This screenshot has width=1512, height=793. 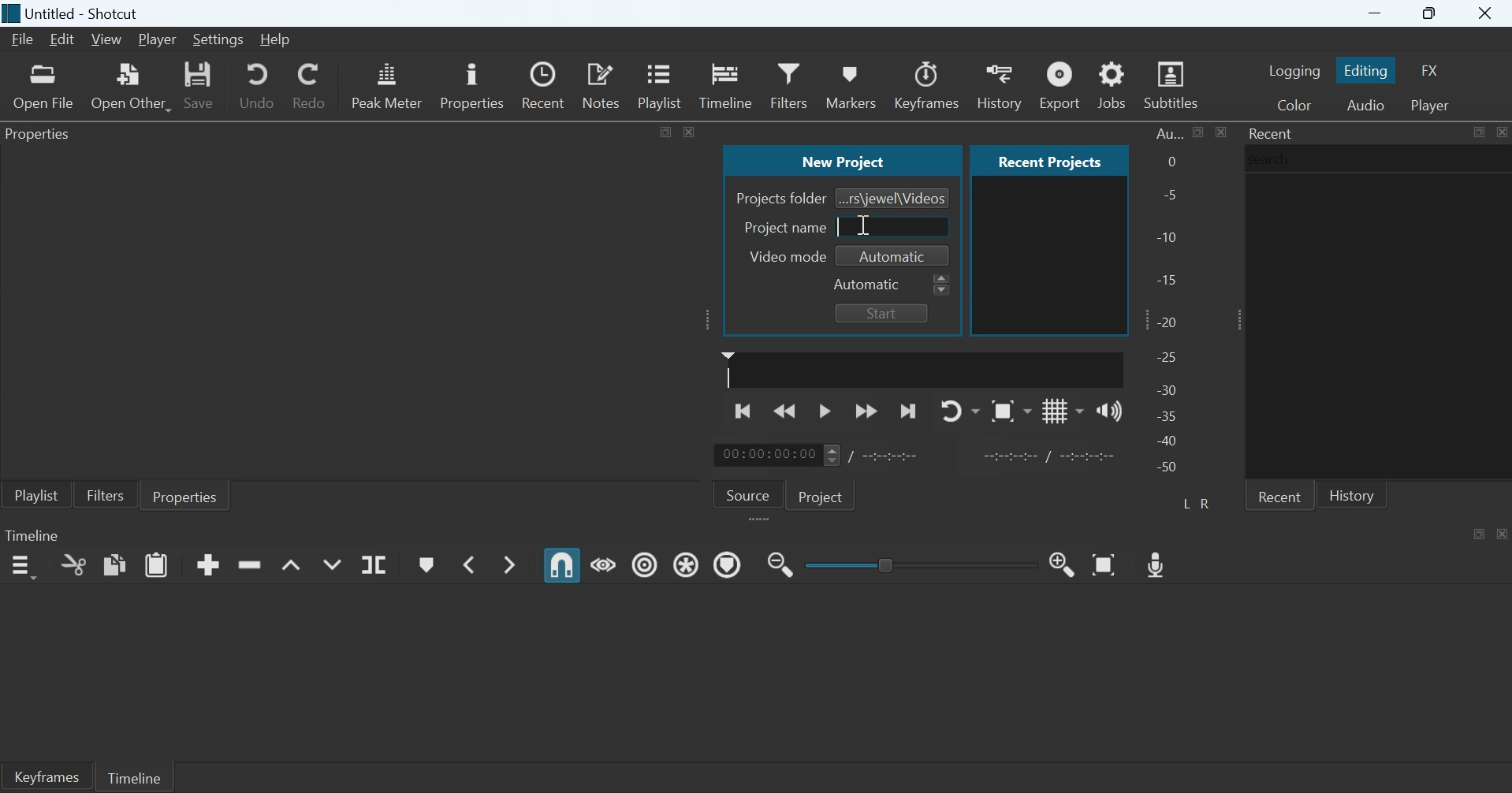 What do you see at coordinates (942, 285) in the screenshot?
I see `scroll buttons` at bounding box center [942, 285].